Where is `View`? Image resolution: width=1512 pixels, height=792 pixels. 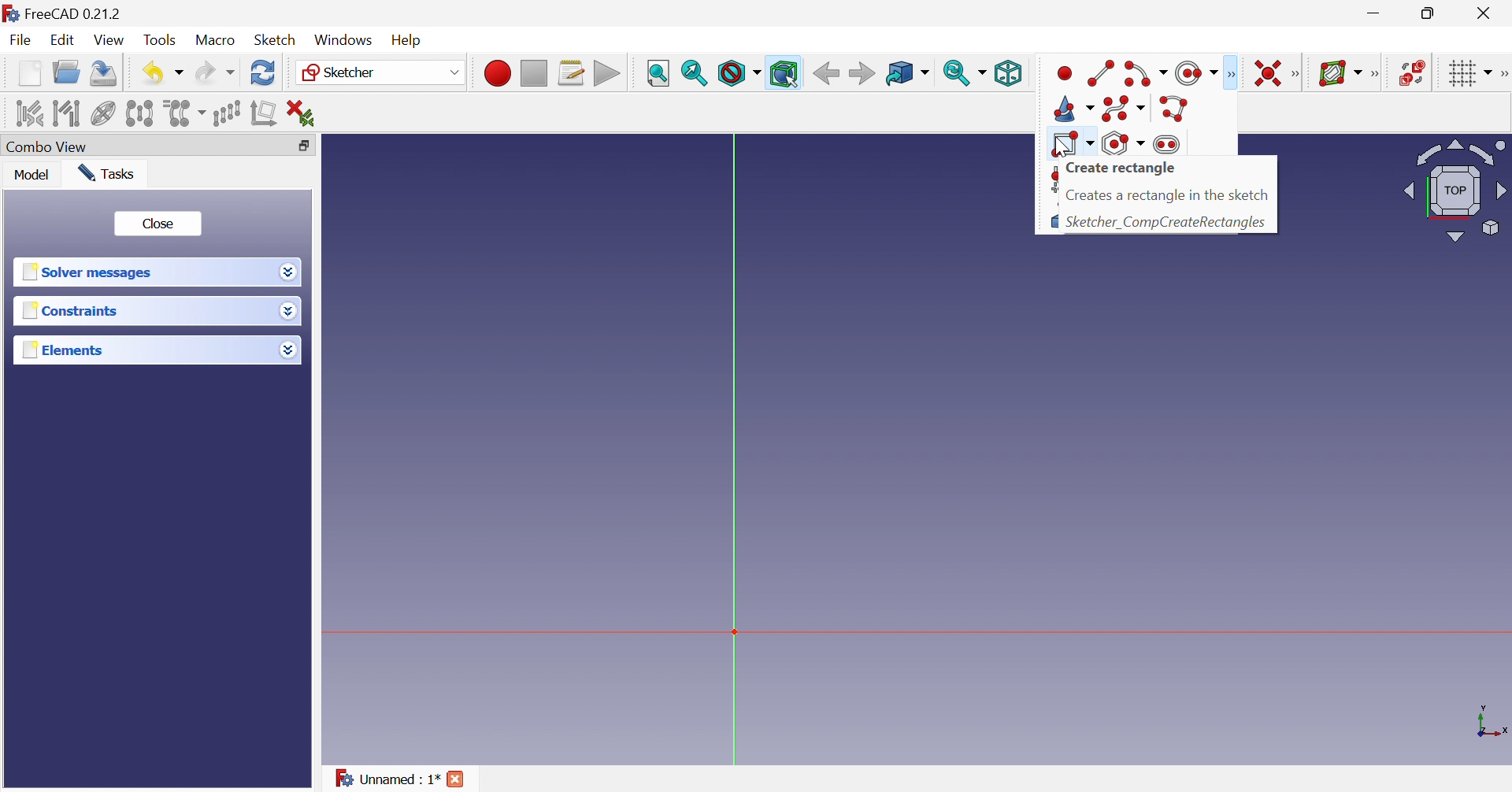 View is located at coordinates (108, 41).